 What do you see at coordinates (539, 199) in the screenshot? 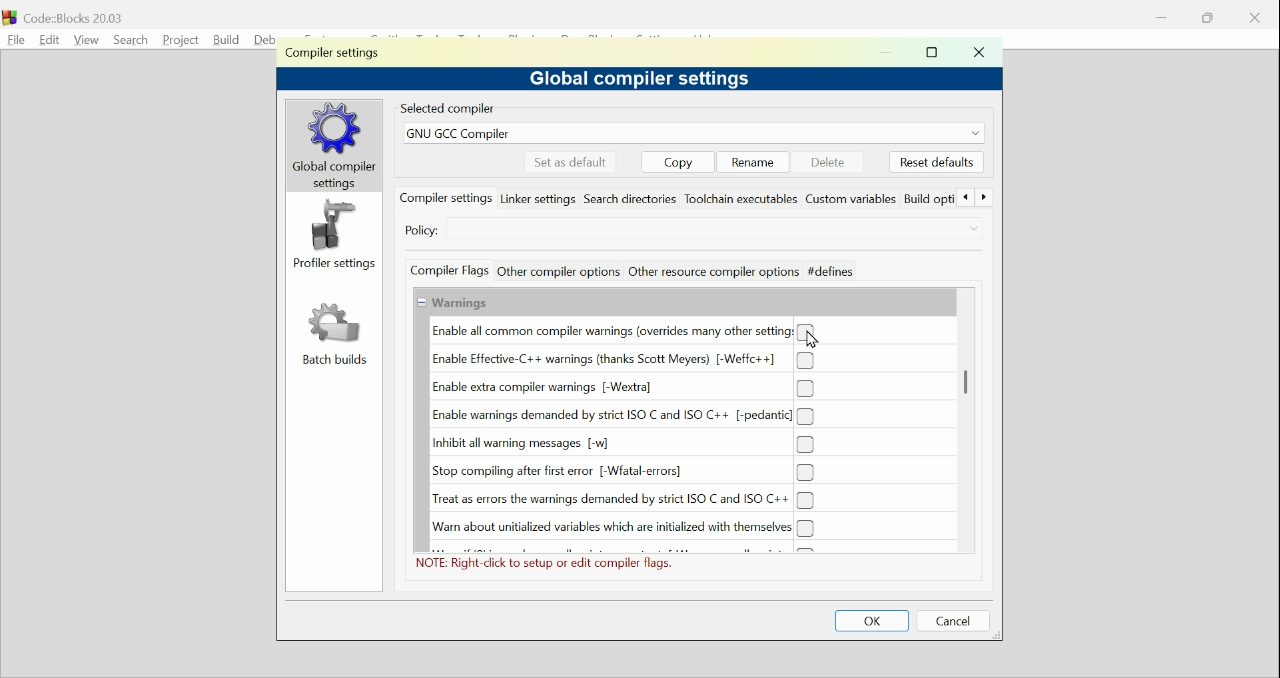
I see `Linker settings` at bounding box center [539, 199].